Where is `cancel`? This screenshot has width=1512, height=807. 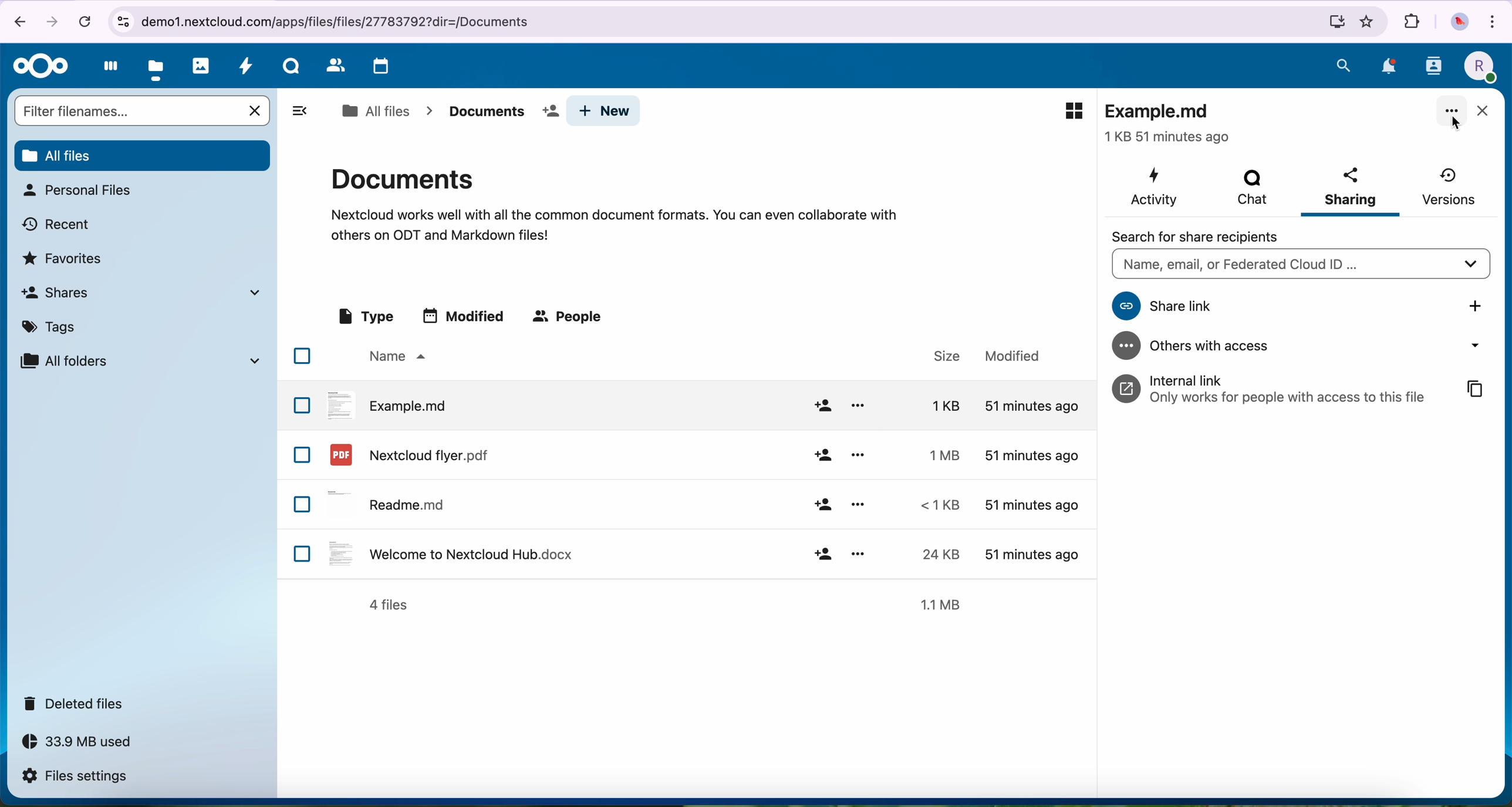 cancel is located at coordinates (84, 21).